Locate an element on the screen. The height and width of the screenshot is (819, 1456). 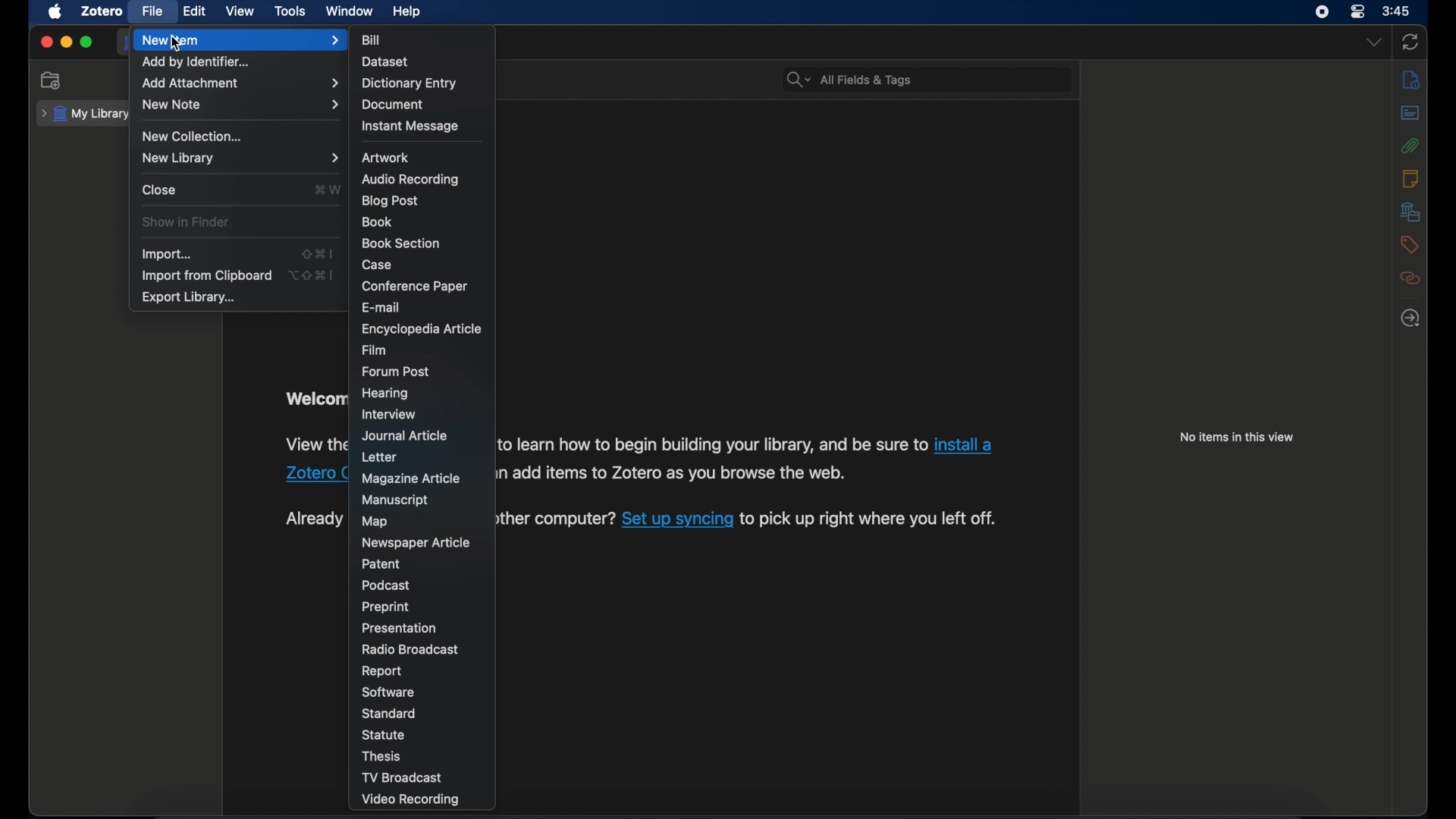
magazine article is located at coordinates (411, 479).